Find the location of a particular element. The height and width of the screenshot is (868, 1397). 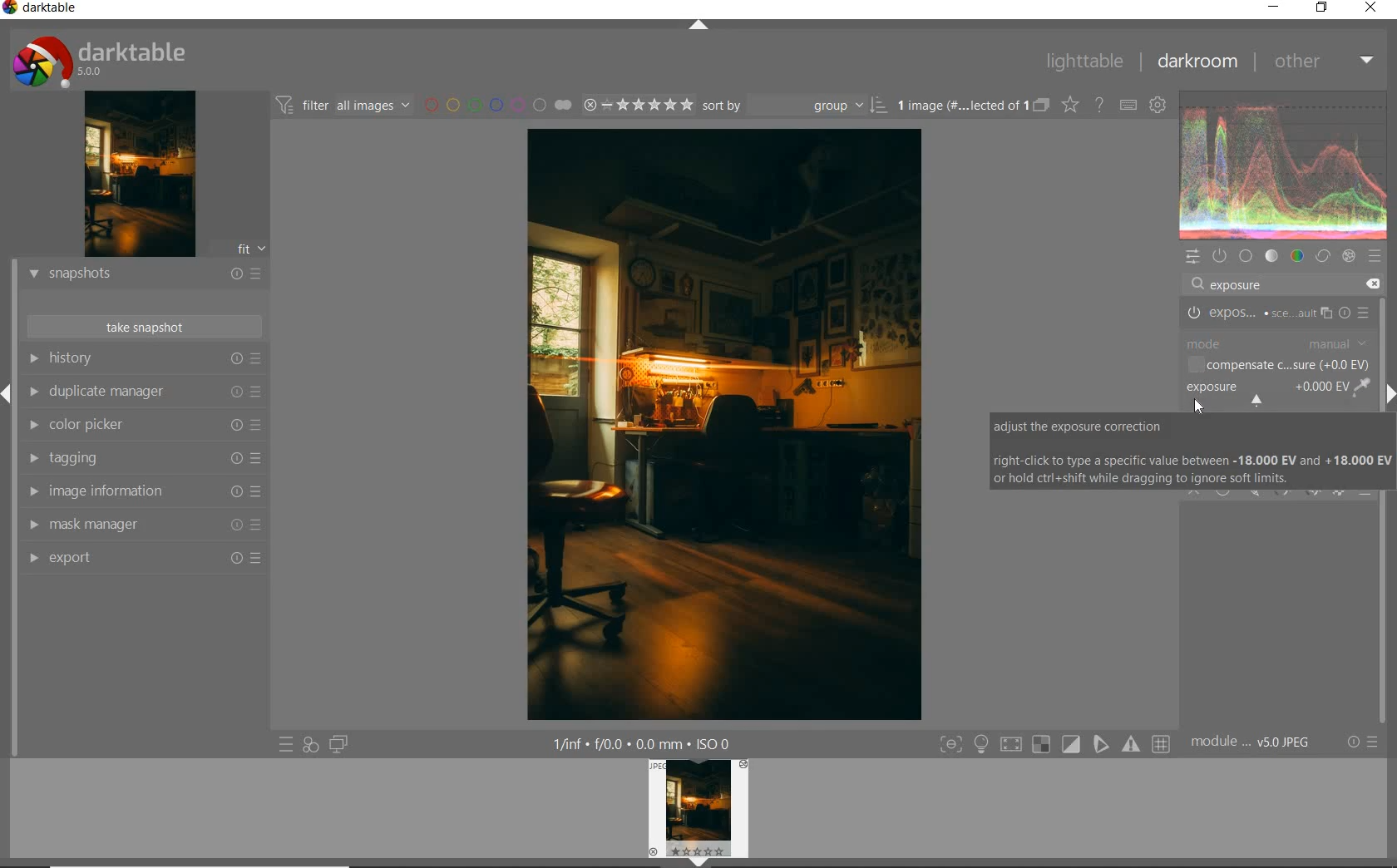

duplicate manager is located at coordinates (141, 392).